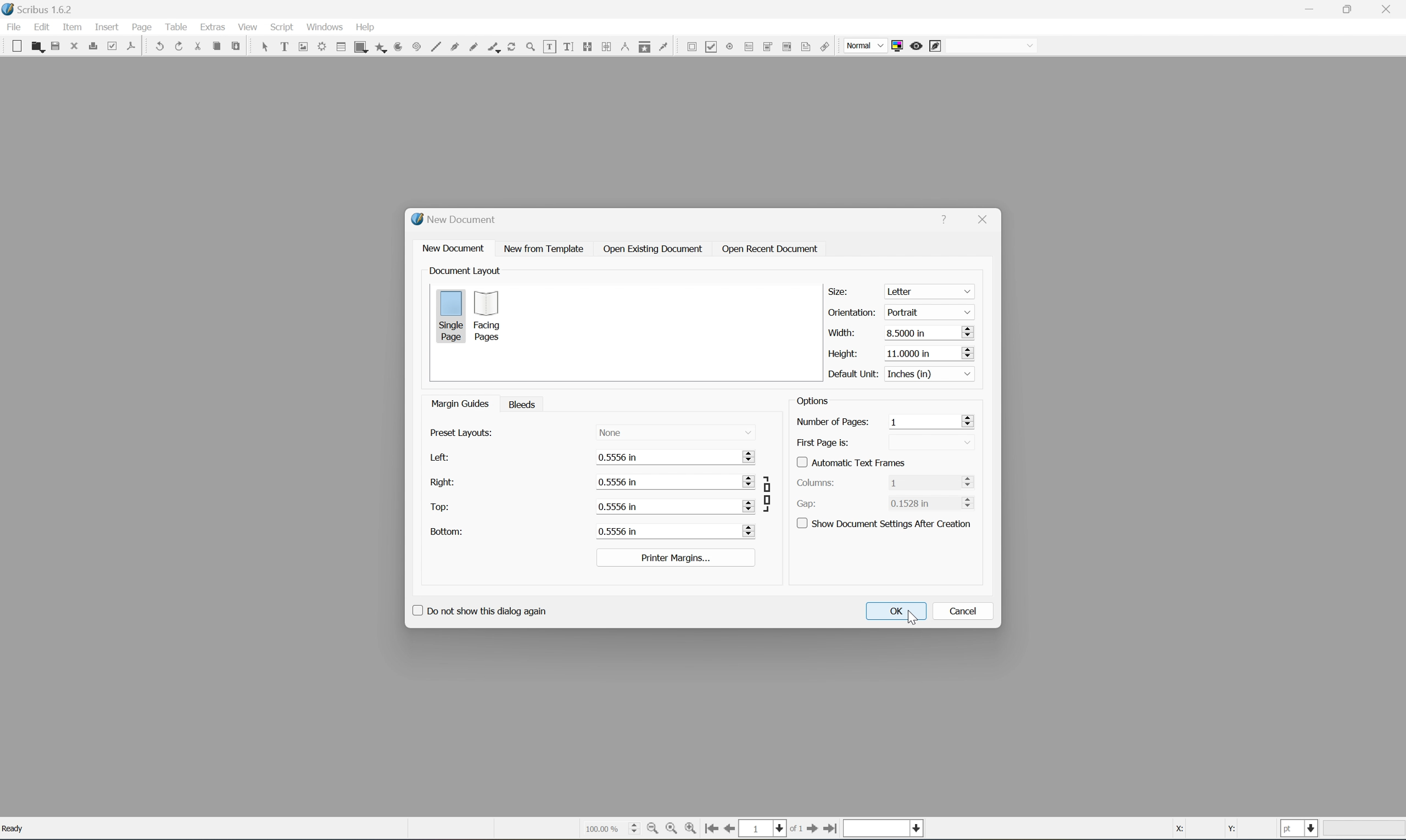  Describe the element at coordinates (16, 47) in the screenshot. I see `new` at that location.